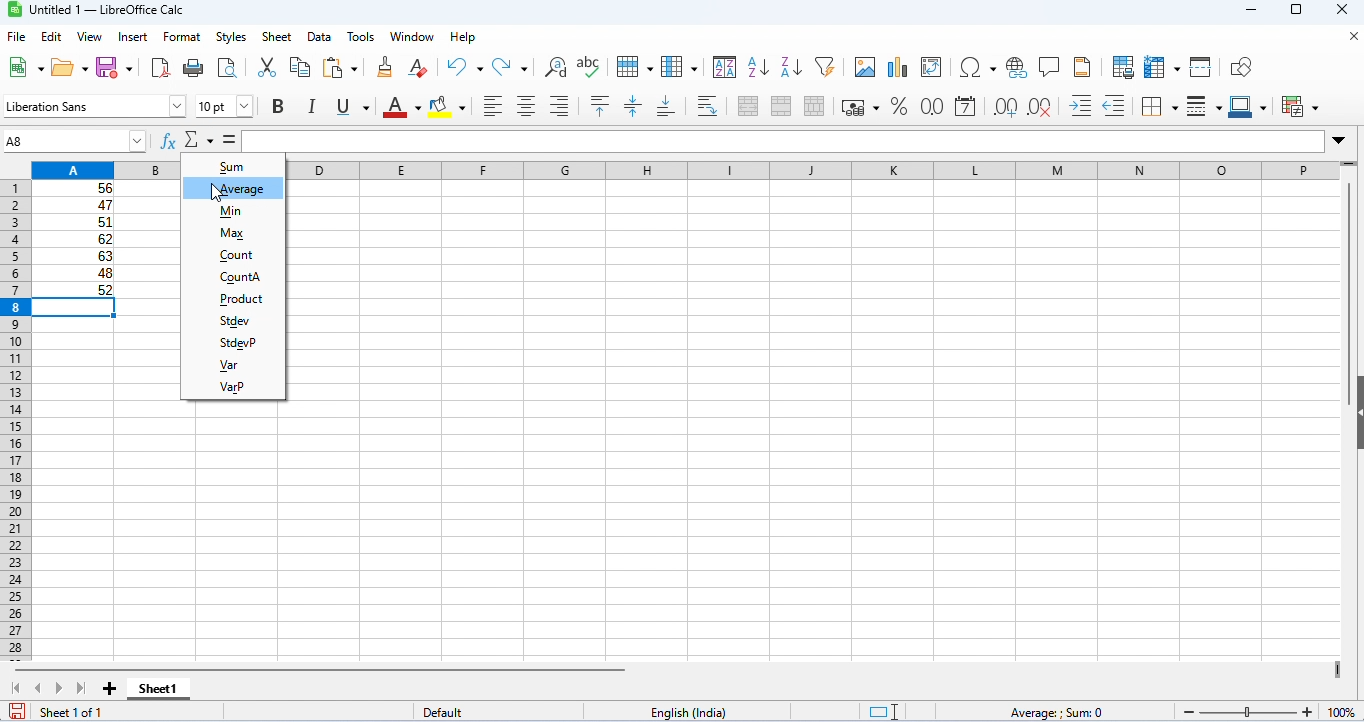  I want to click on conditional, so click(1301, 106).